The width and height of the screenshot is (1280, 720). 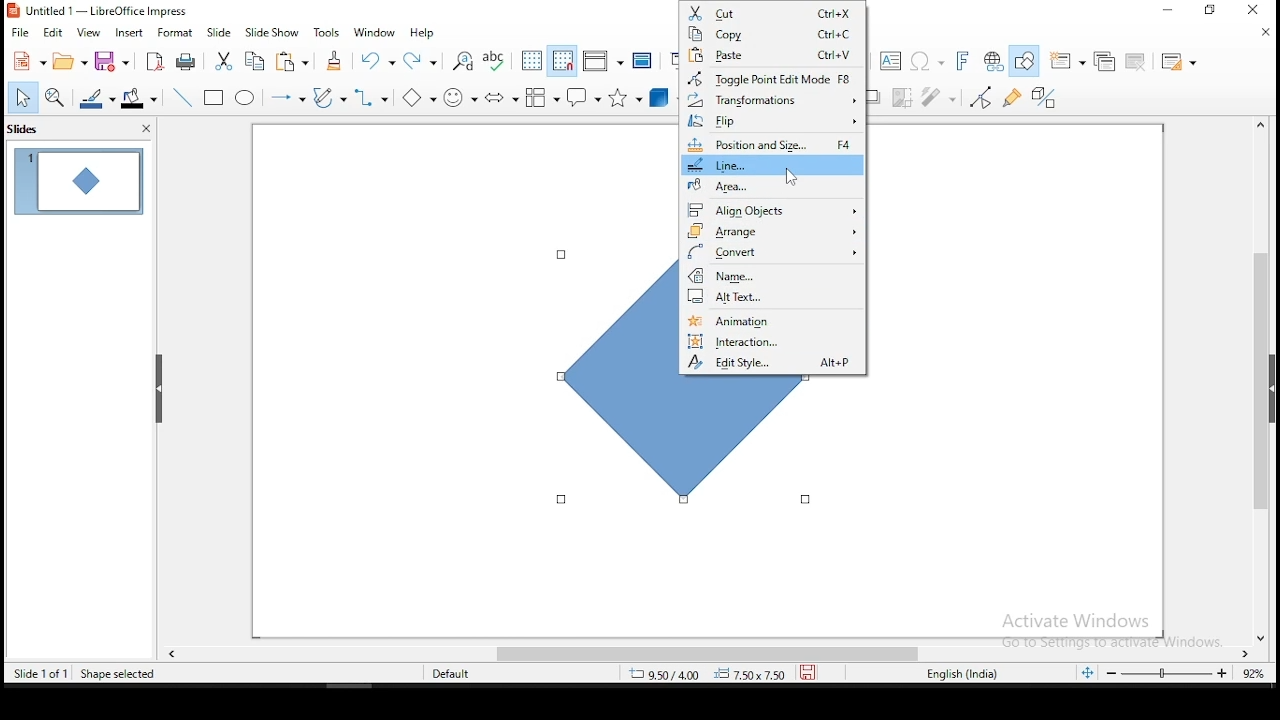 What do you see at coordinates (893, 60) in the screenshot?
I see `text box` at bounding box center [893, 60].